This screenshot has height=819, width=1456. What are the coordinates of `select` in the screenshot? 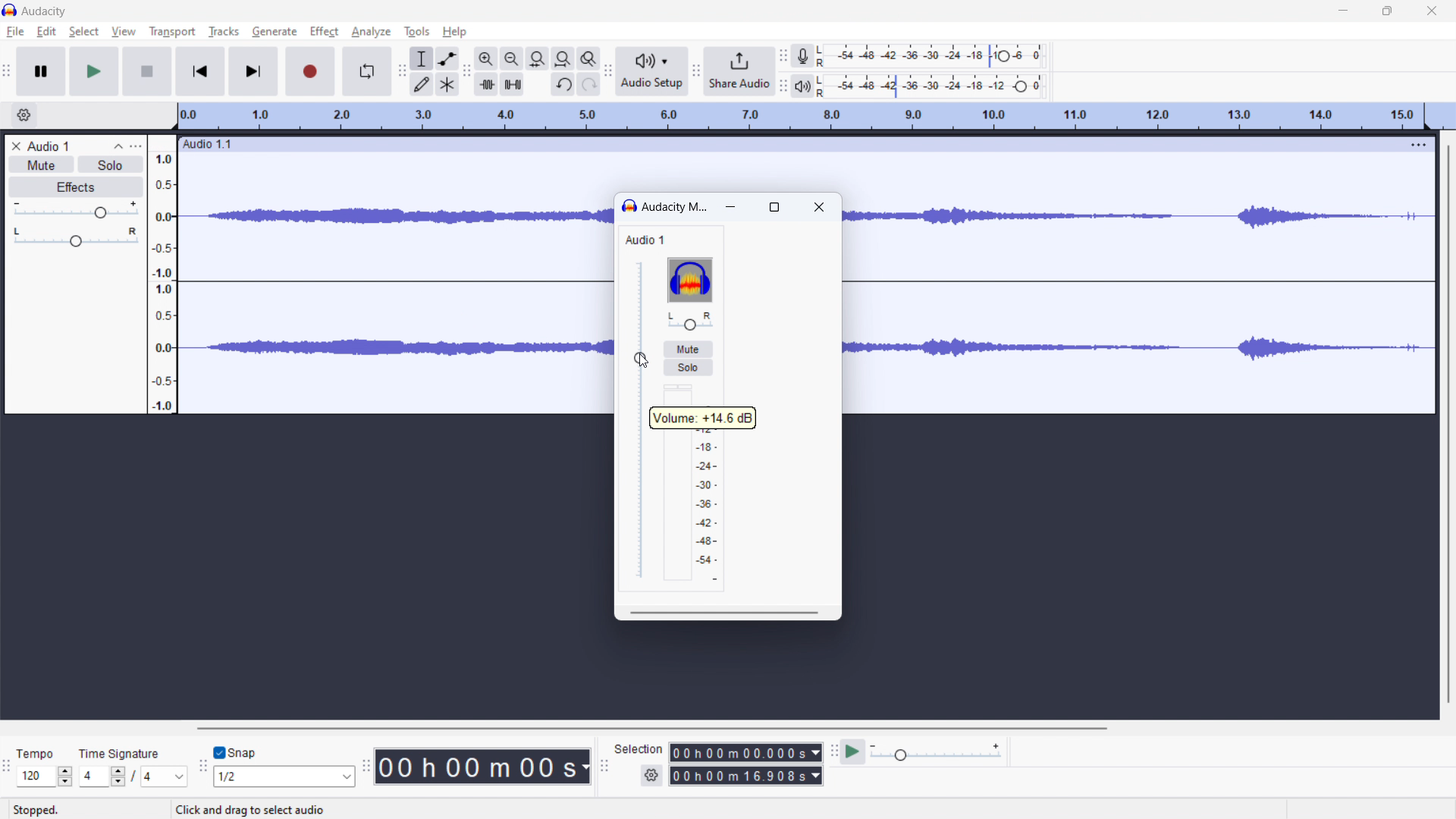 It's located at (83, 32).